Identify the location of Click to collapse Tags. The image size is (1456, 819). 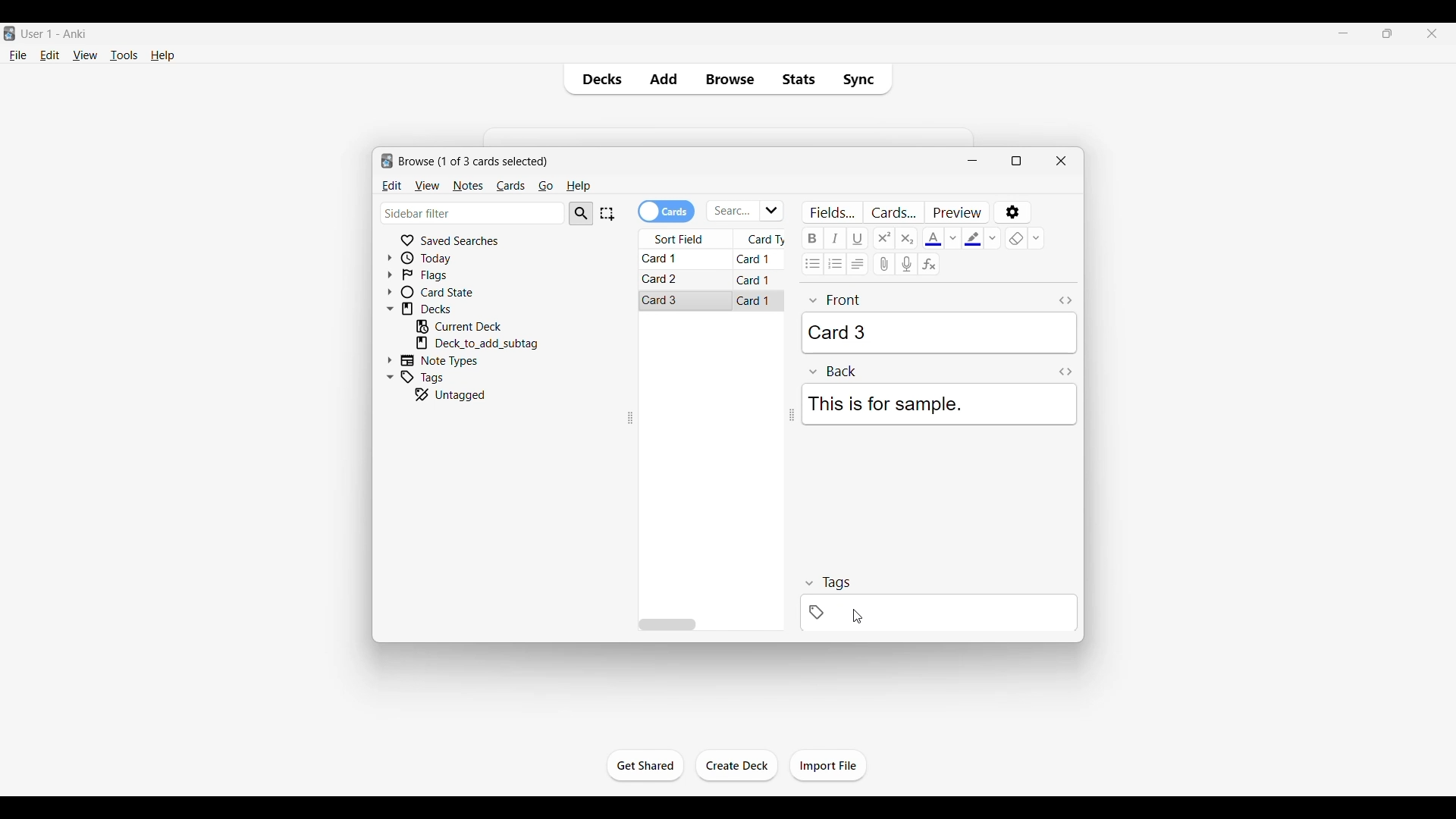
(390, 377).